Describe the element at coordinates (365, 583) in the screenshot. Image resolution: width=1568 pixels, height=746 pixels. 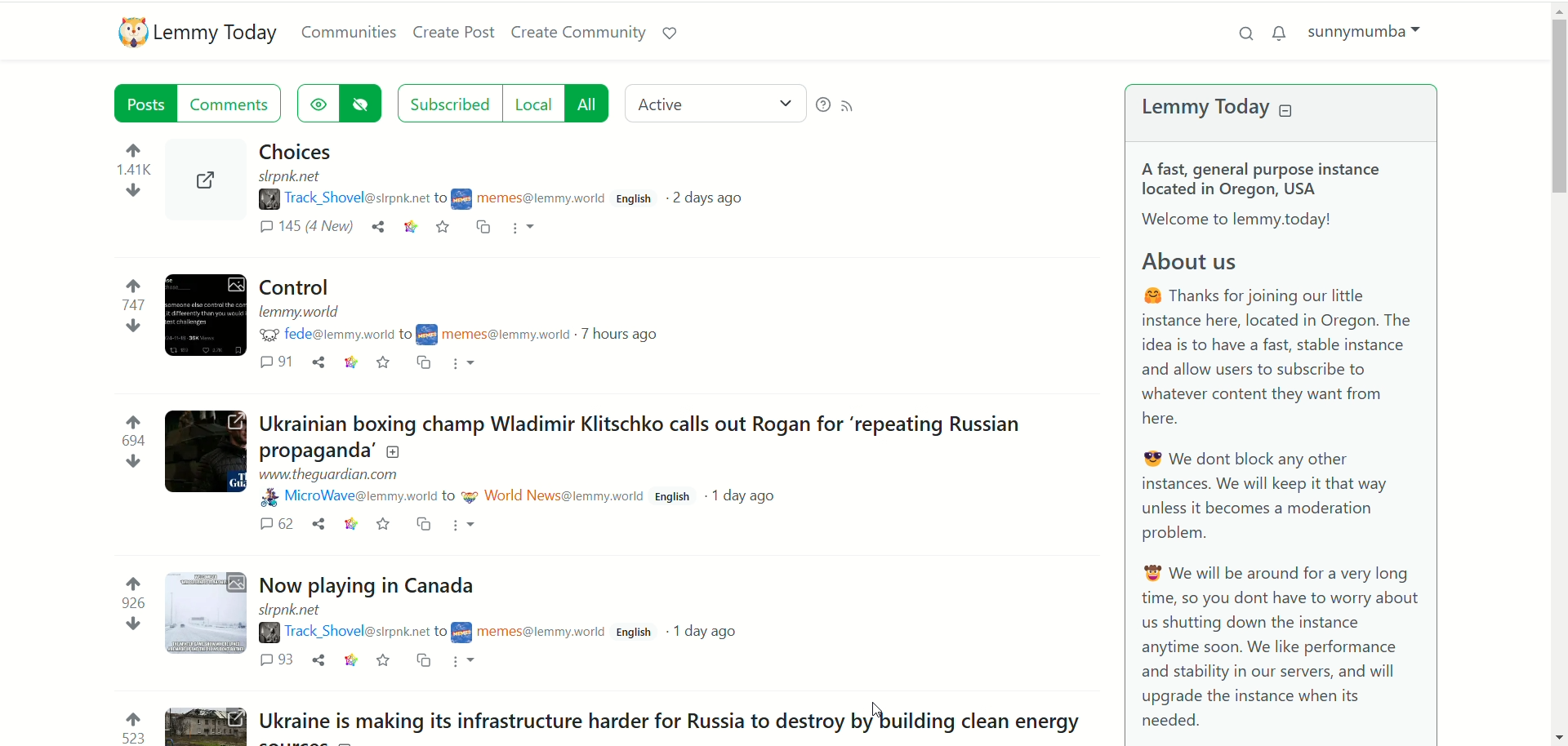
I see `Post on "Now playing in Canada"` at that location.